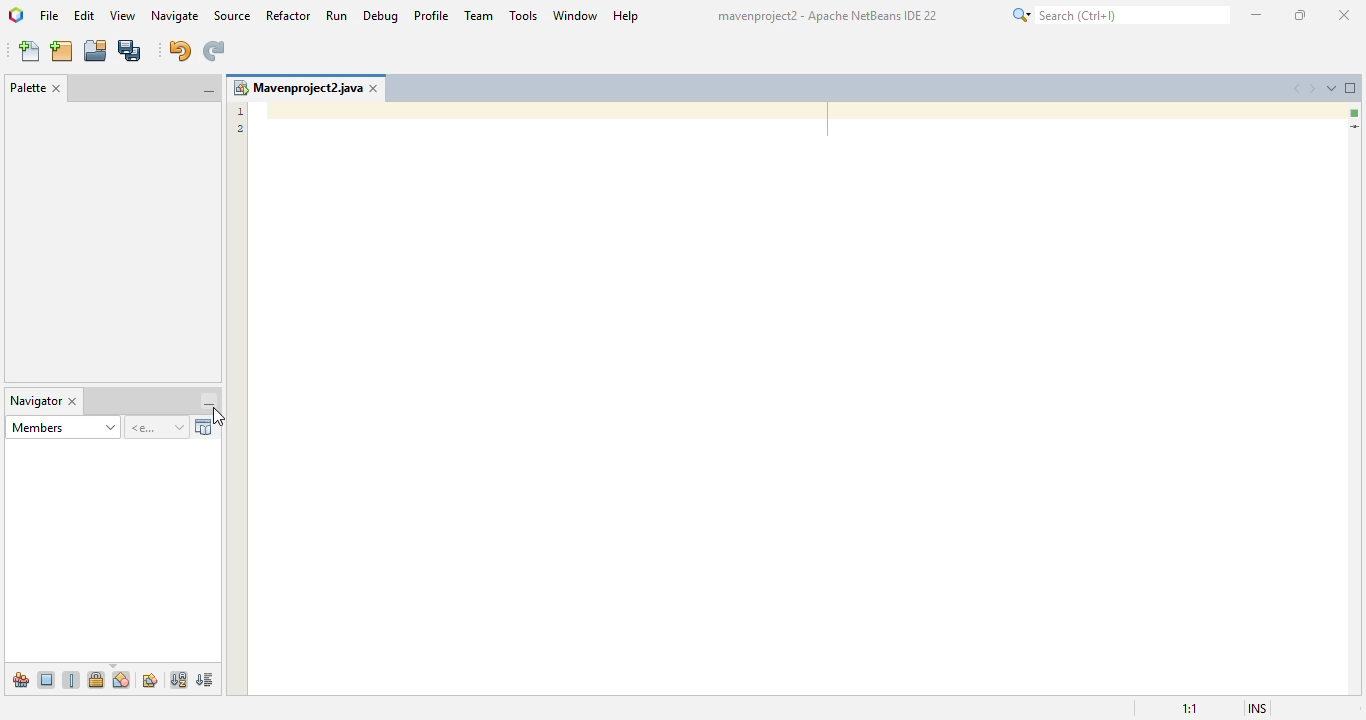  Describe the element at coordinates (828, 15) in the screenshot. I see `title` at that location.